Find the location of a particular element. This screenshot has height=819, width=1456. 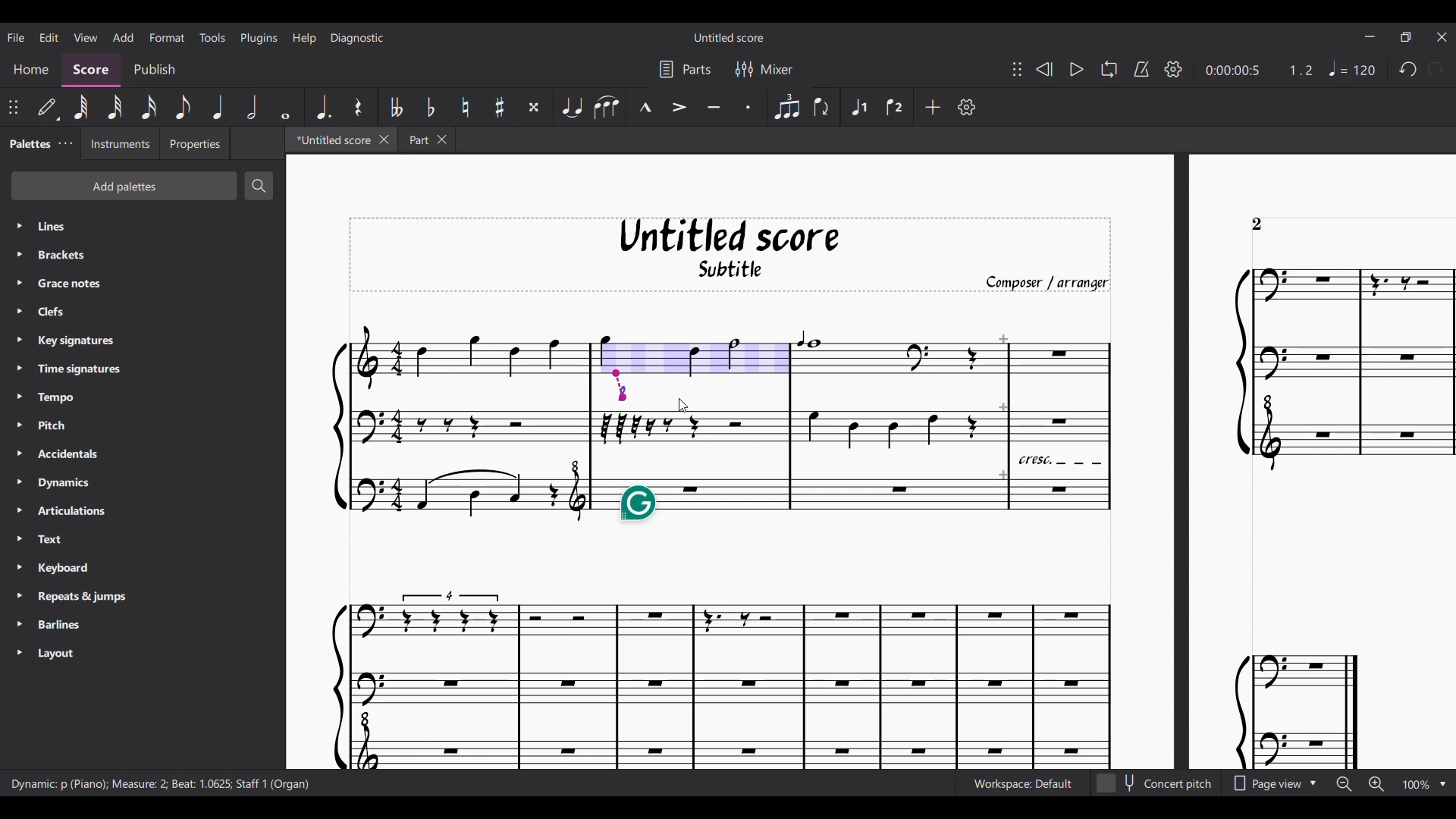

Description of current selection is located at coordinates (161, 784).